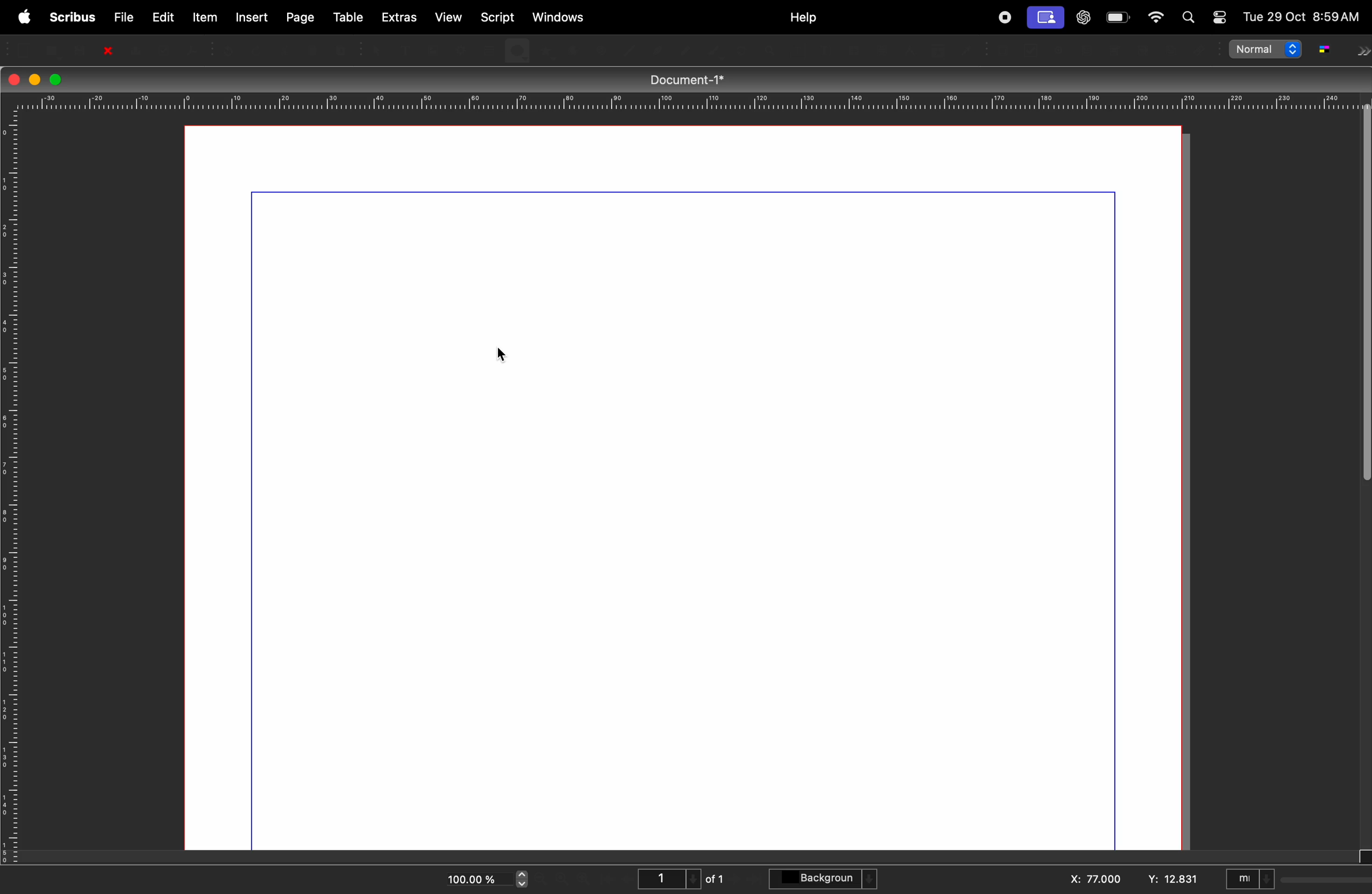 The height and width of the screenshot is (894, 1372). I want to click on horrizontal scale, so click(681, 101).